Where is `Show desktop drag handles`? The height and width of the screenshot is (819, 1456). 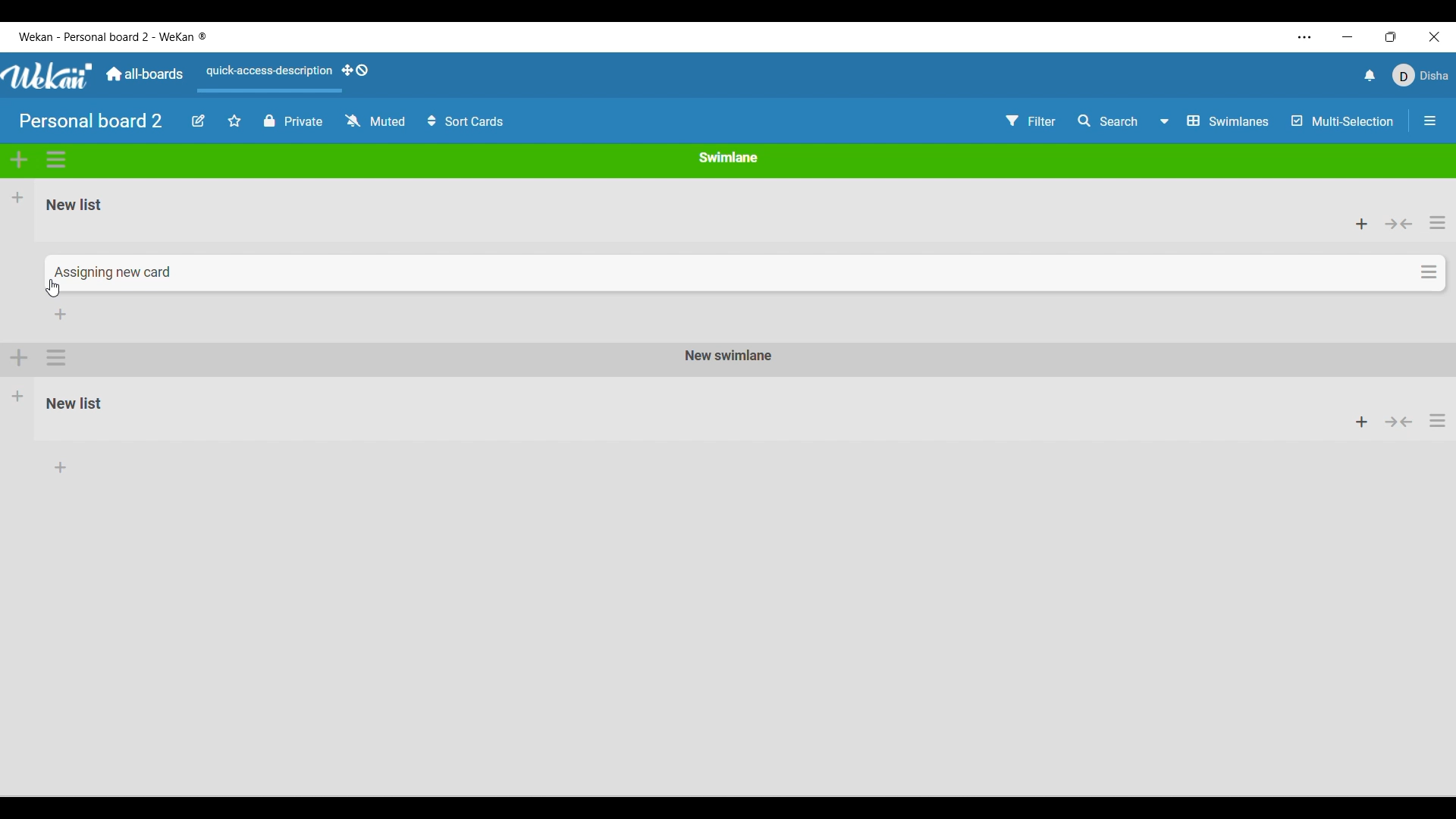 Show desktop drag handles is located at coordinates (356, 70).